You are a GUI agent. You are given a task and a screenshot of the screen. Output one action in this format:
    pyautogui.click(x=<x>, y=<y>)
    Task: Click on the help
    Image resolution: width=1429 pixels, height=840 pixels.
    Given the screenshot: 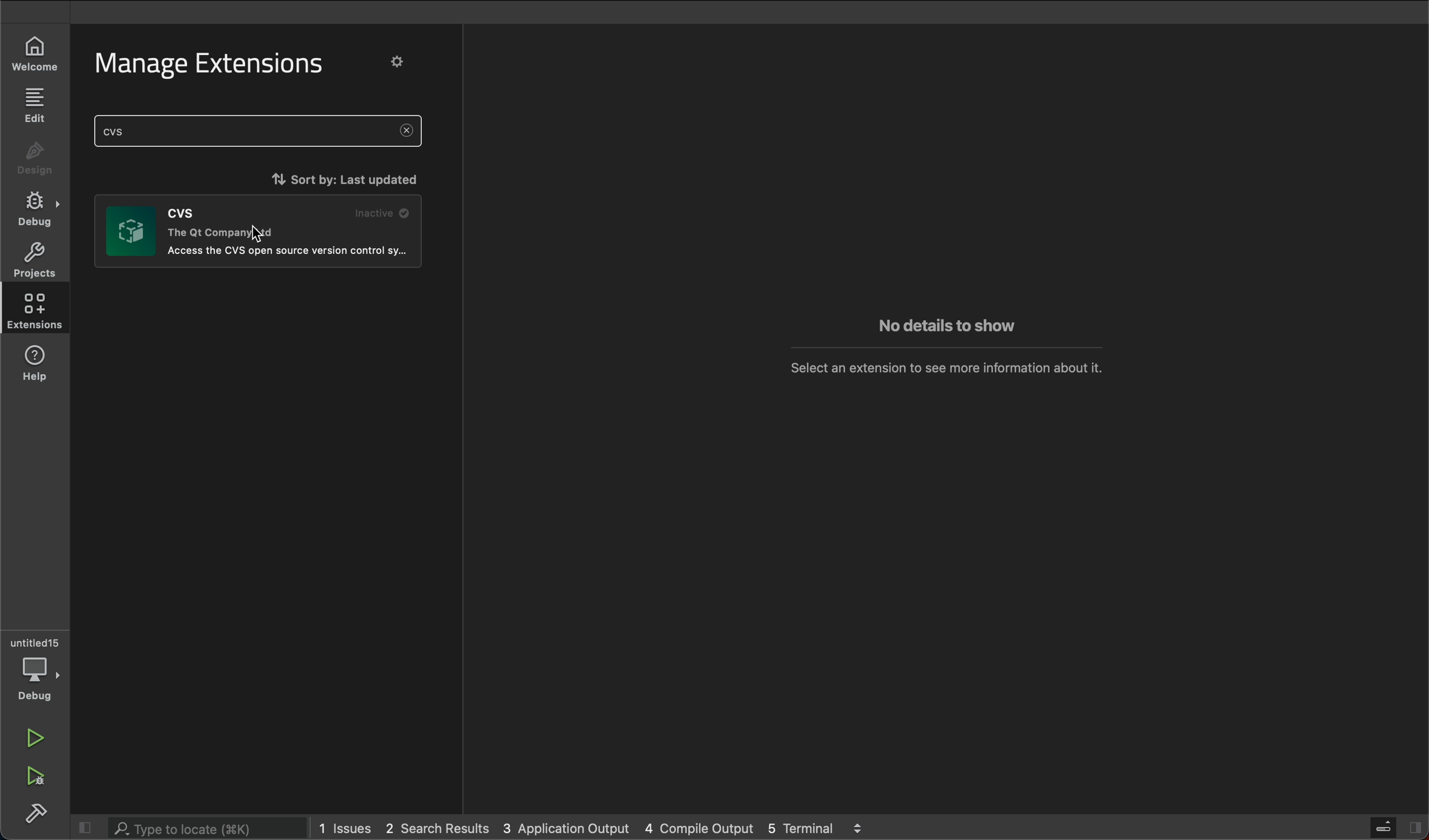 What is the action you would take?
    pyautogui.click(x=40, y=364)
    